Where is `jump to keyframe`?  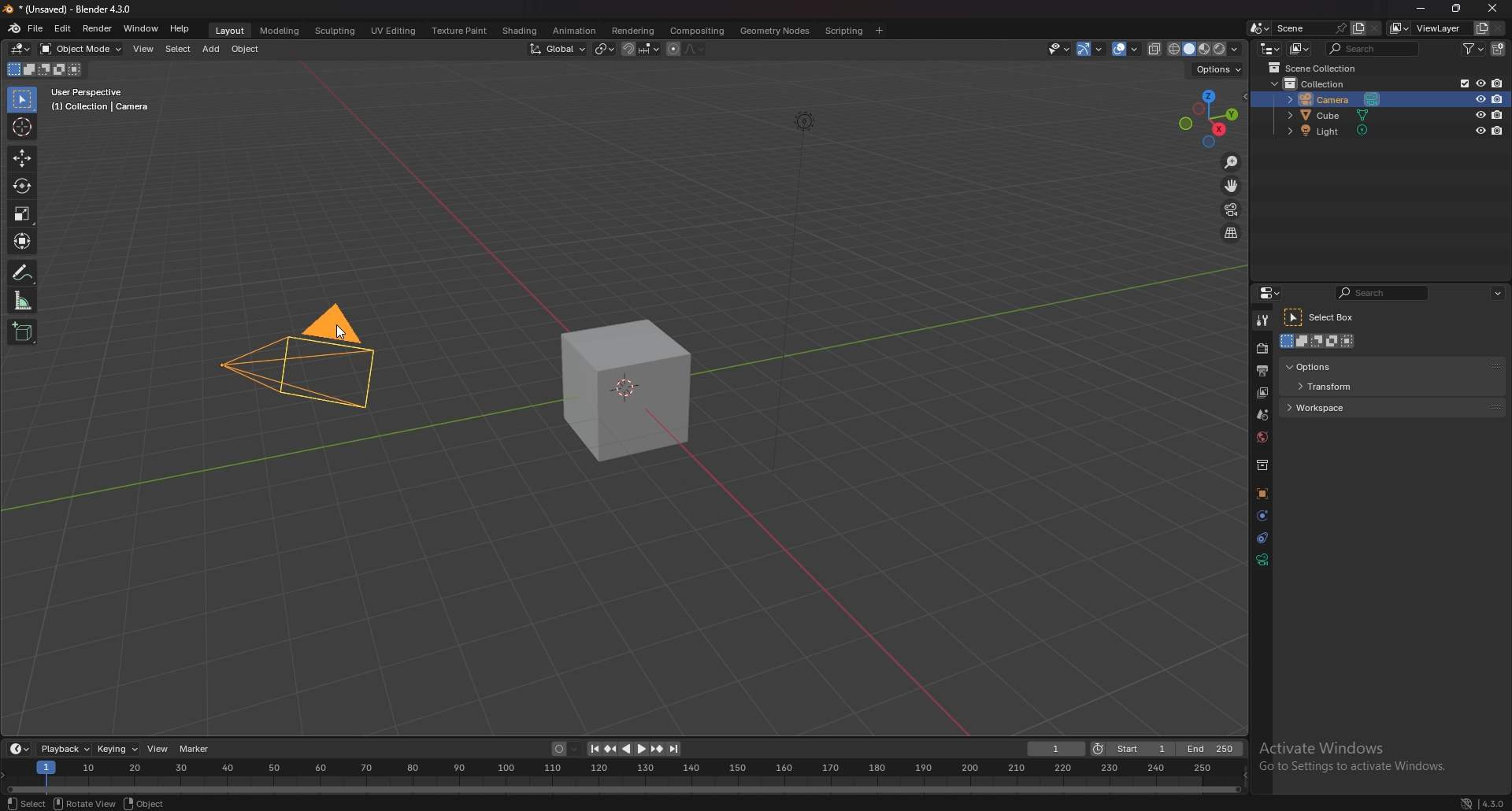
jump to keyframe is located at coordinates (610, 749).